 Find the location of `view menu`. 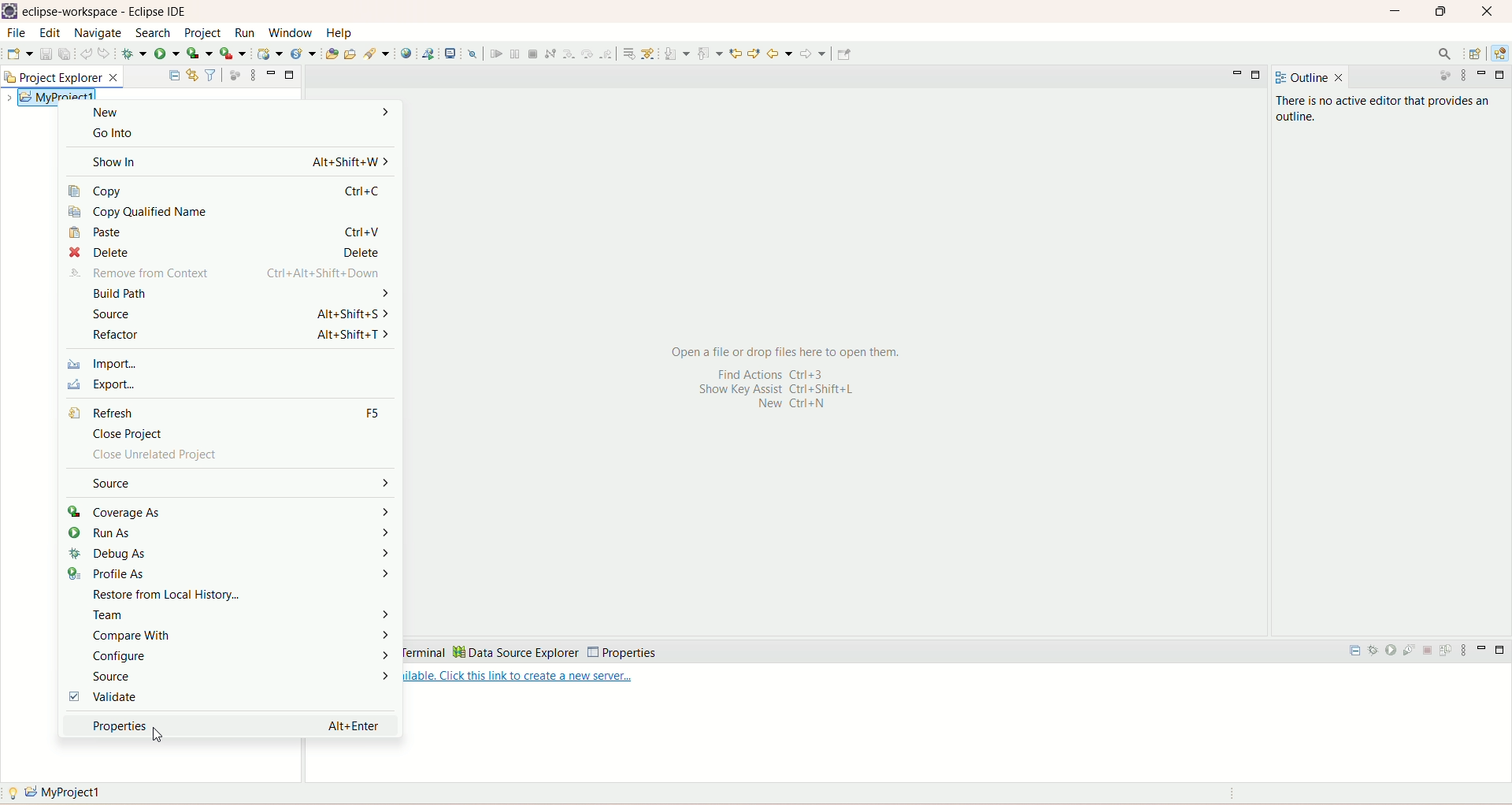

view menu is located at coordinates (251, 75).